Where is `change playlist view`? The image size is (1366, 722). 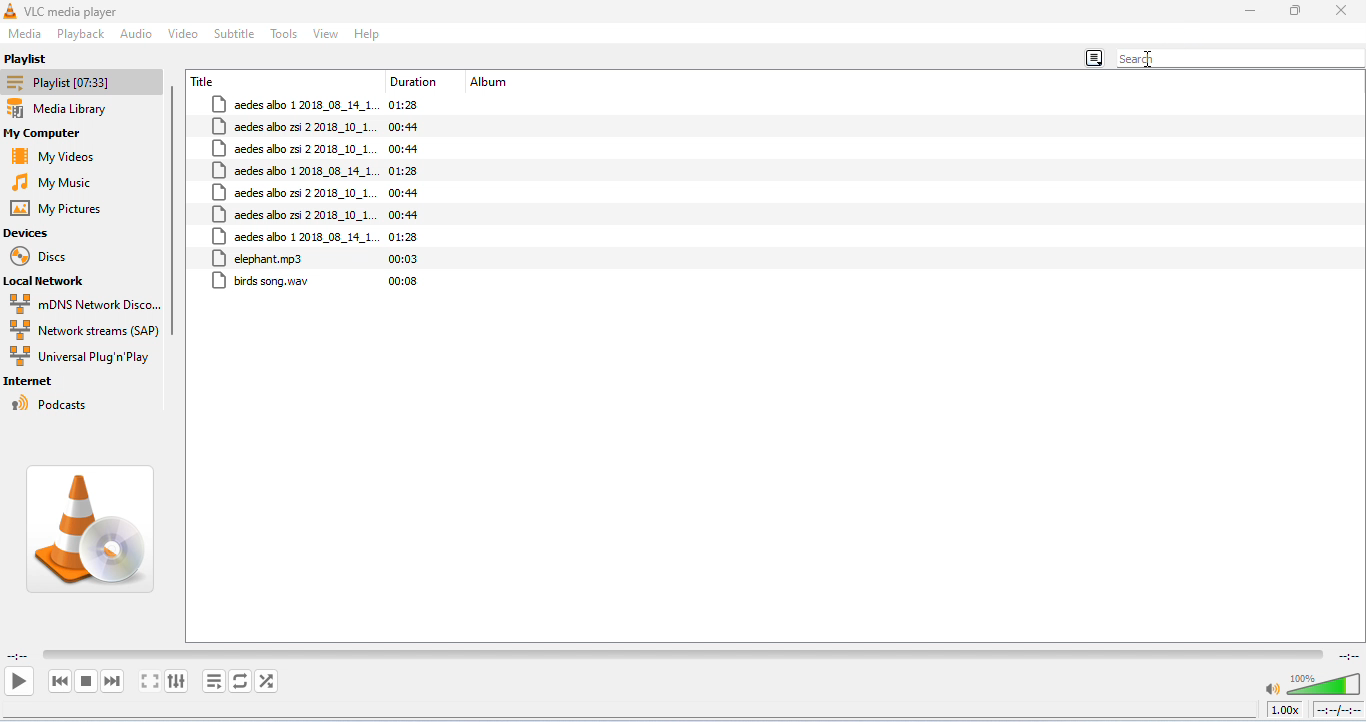 change playlist view is located at coordinates (1095, 55).